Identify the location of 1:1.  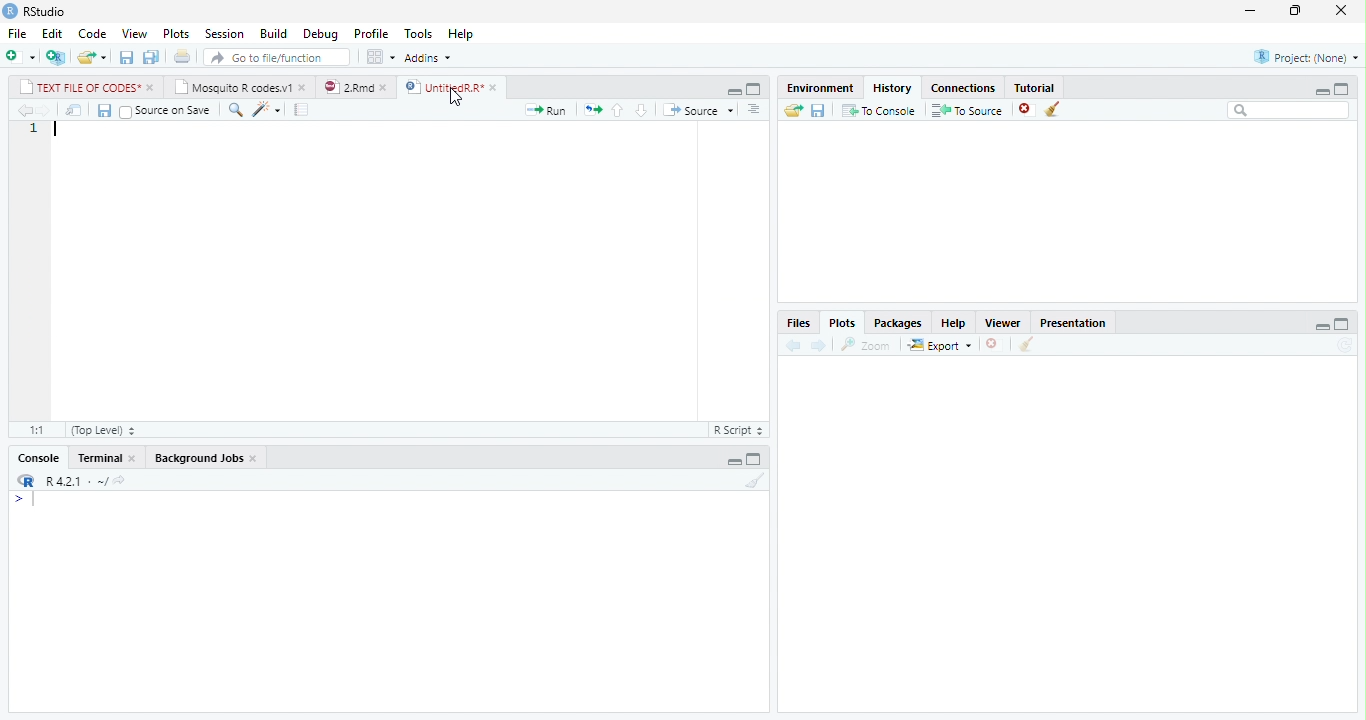
(36, 430).